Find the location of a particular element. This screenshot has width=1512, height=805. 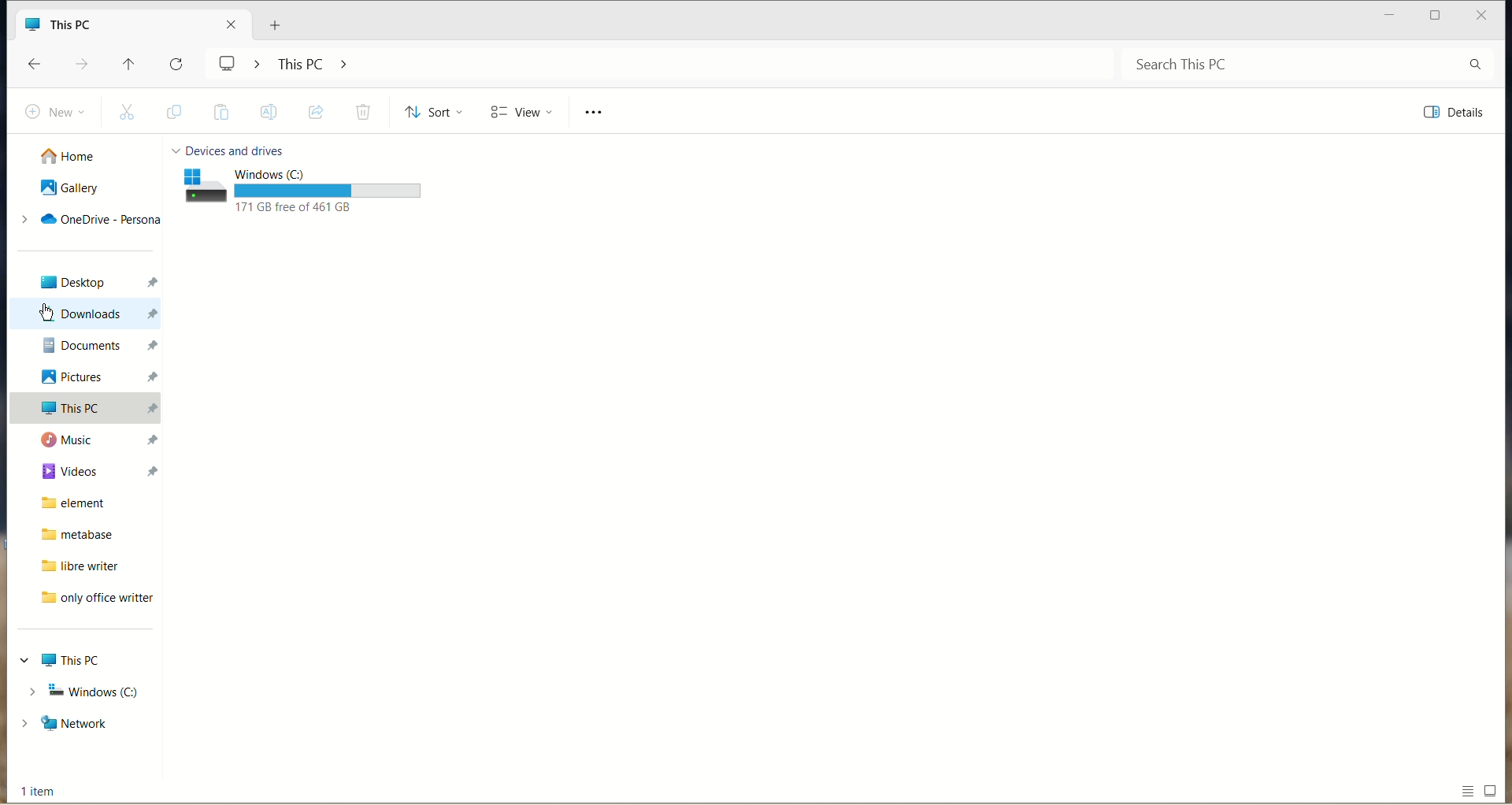

new tab is located at coordinates (272, 27).